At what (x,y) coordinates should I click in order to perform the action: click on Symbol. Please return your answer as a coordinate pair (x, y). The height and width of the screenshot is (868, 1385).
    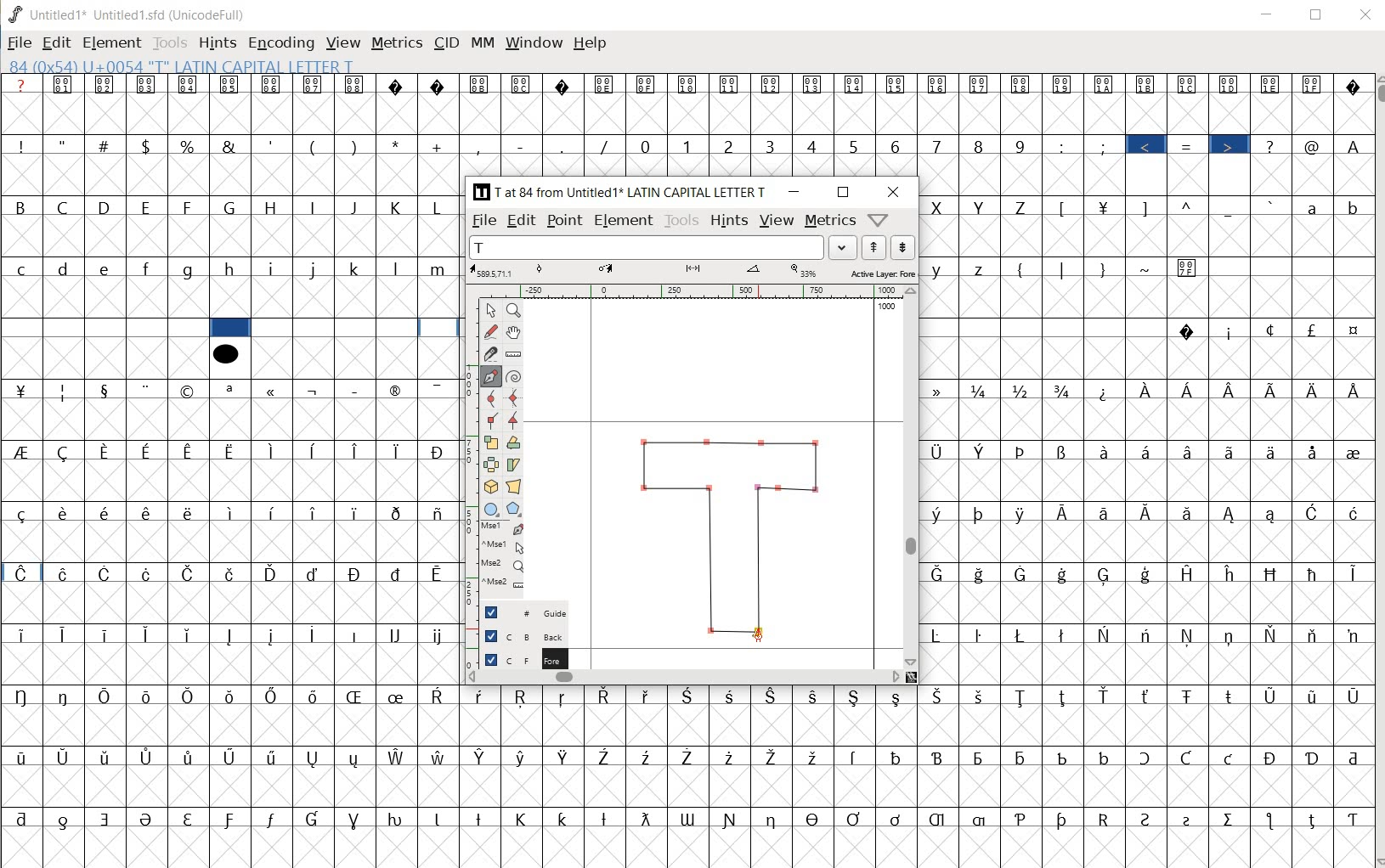
    Looking at the image, I should click on (396, 512).